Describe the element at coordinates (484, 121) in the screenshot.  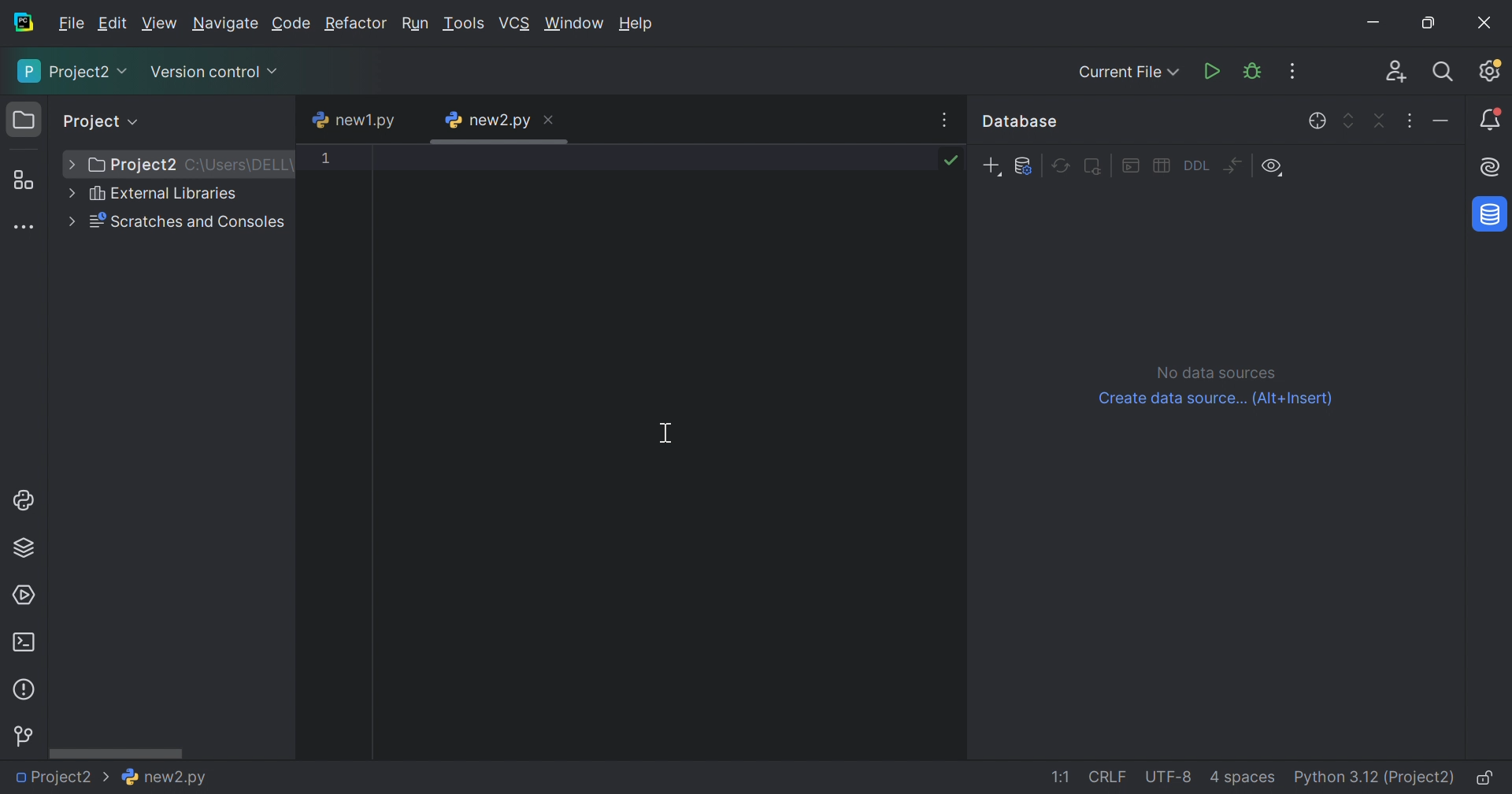
I see `new2.py` at that location.